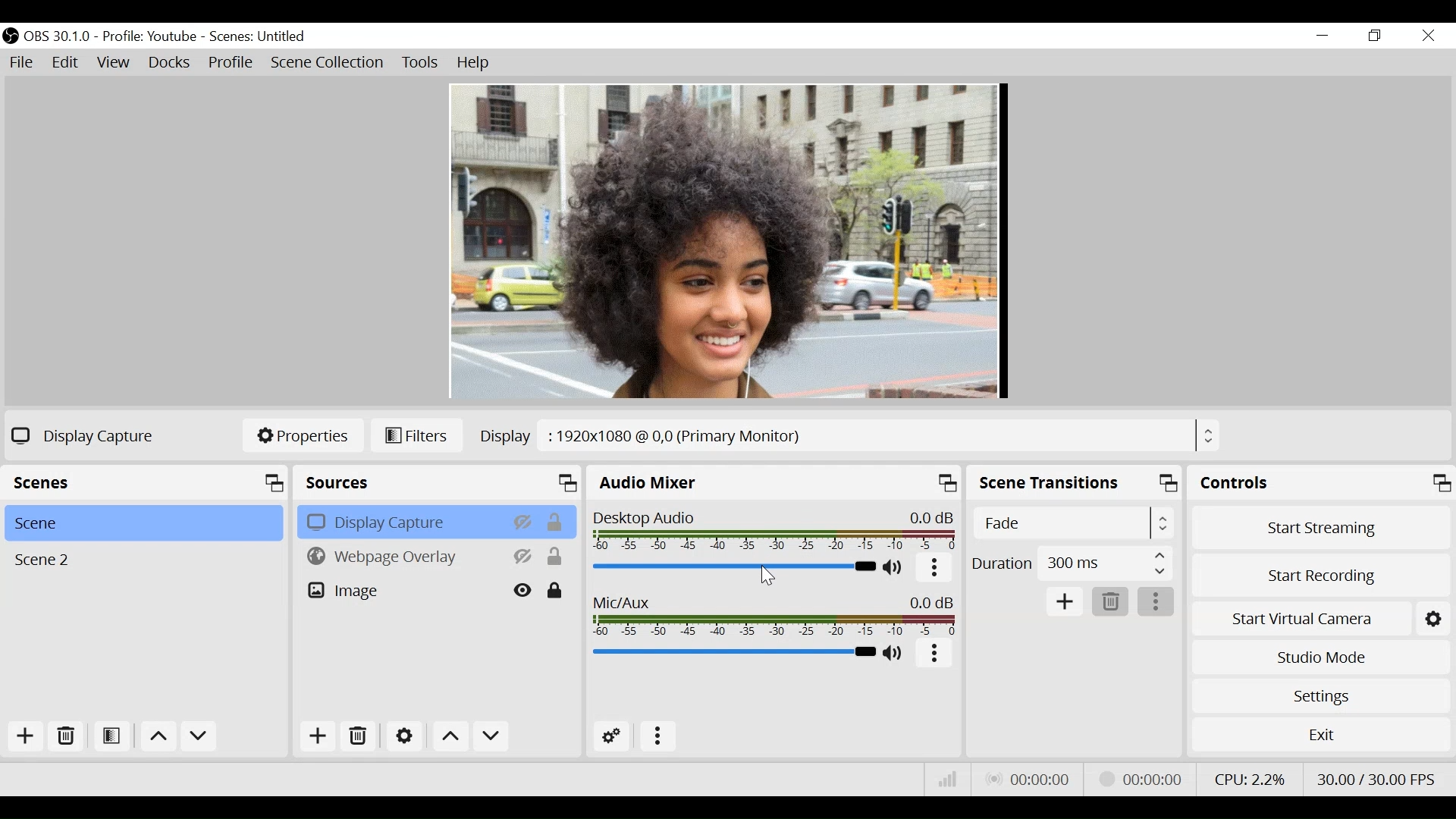 The width and height of the screenshot is (1456, 819). Describe the element at coordinates (1109, 601) in the screenshot. I see `Delete` at that location.